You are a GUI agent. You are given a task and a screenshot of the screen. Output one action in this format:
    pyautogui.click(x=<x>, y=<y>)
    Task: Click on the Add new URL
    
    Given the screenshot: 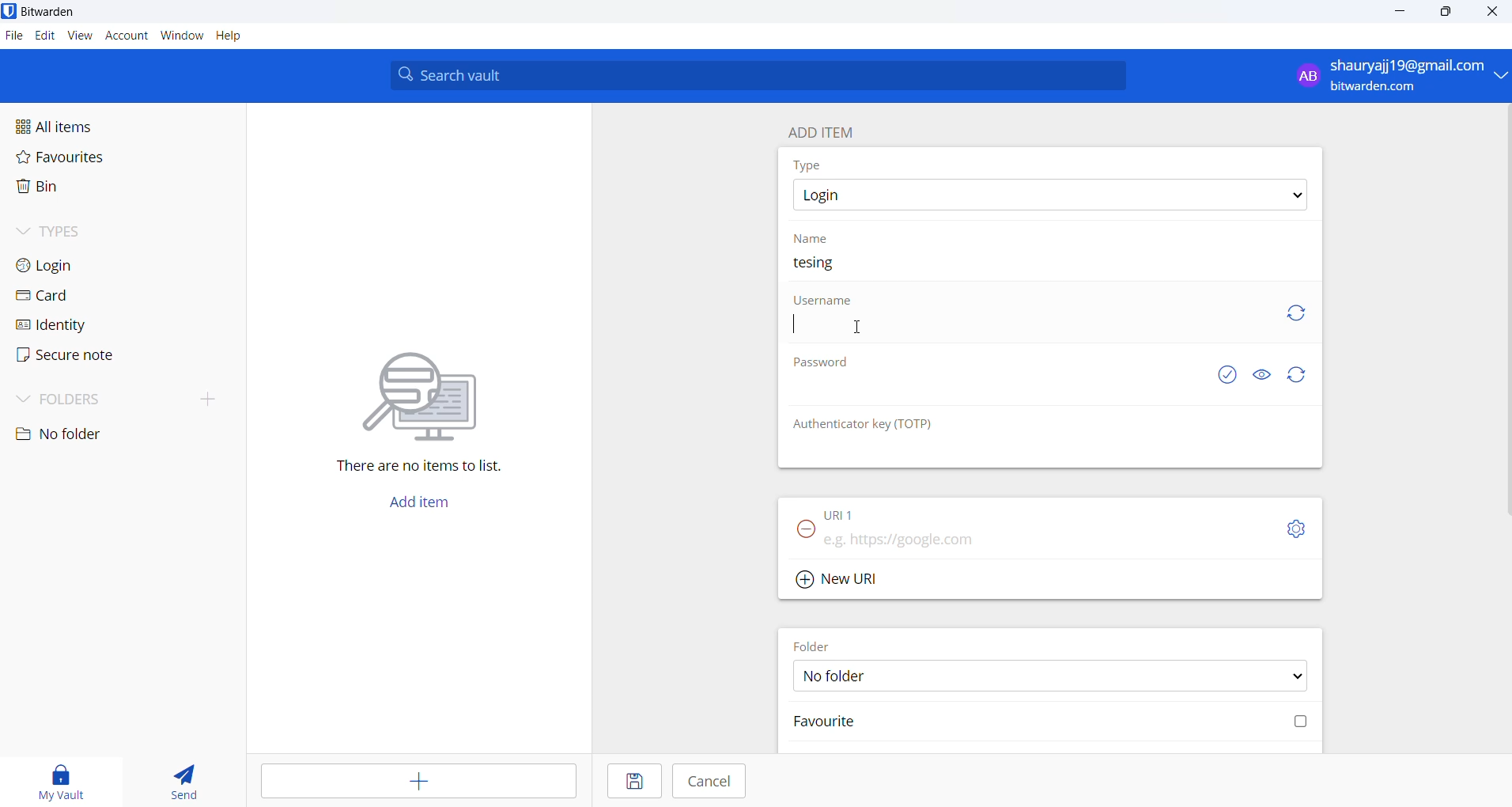 What is the action you would take?
    pyautogui.click(x=840, y=577)
    